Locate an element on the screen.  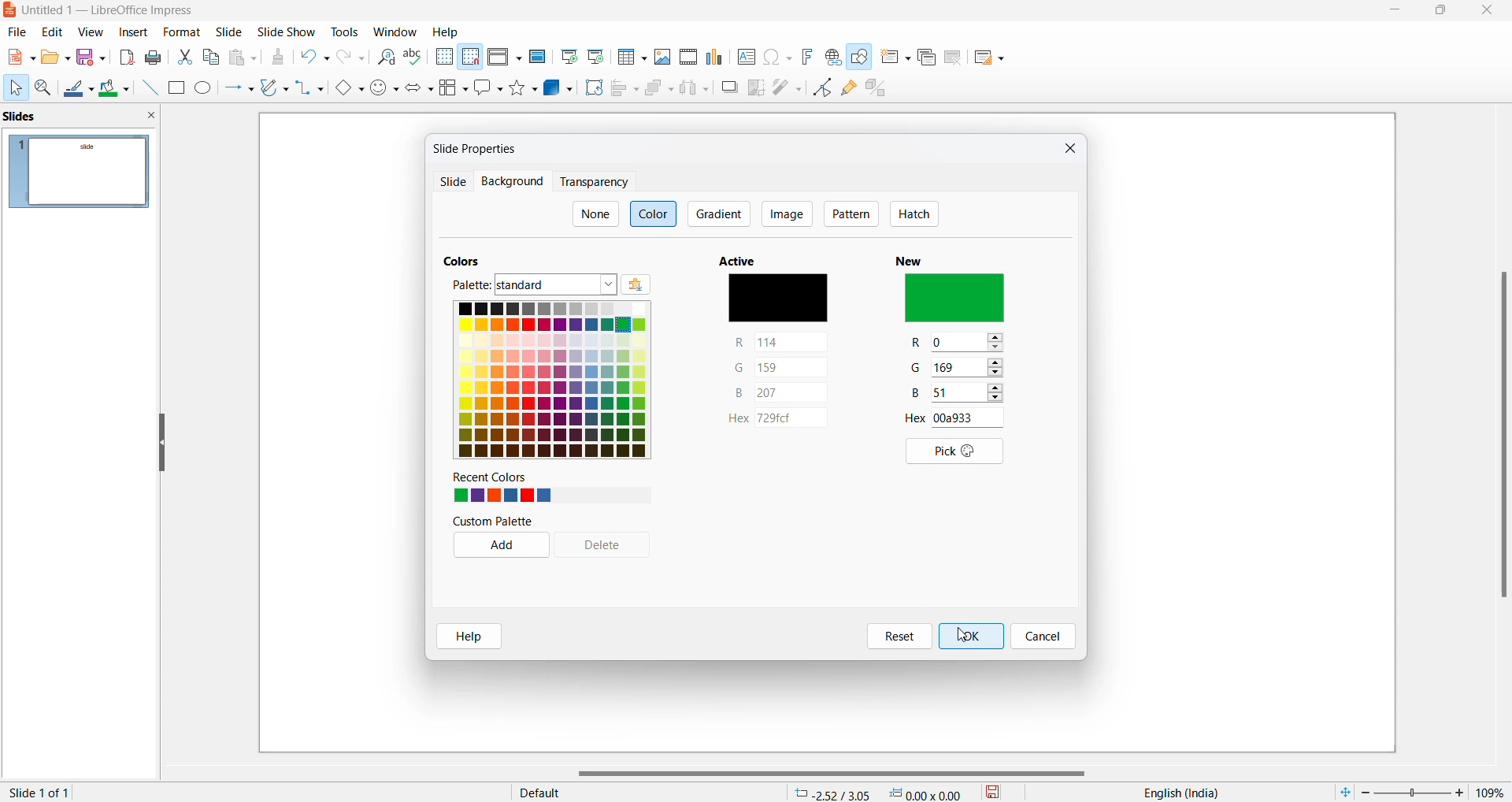
arrange is located at coordinates (658, 91).